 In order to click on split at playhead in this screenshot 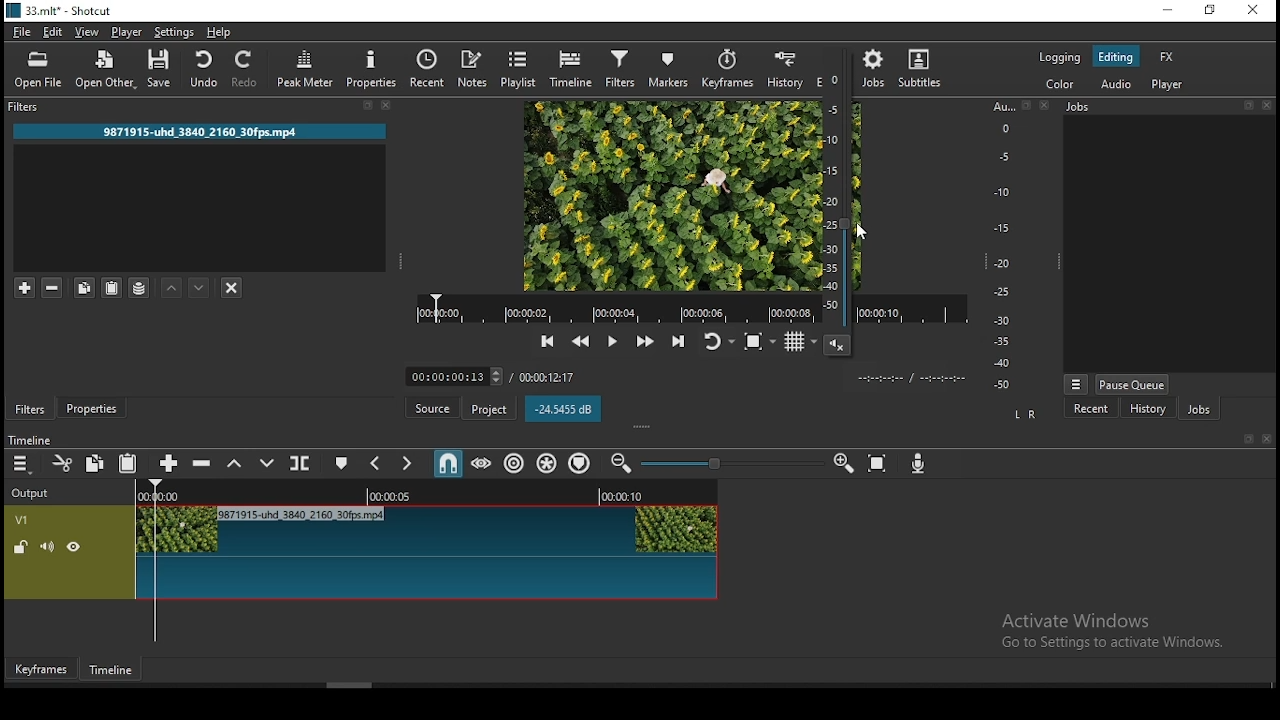, I will do `click(302, 463)`.